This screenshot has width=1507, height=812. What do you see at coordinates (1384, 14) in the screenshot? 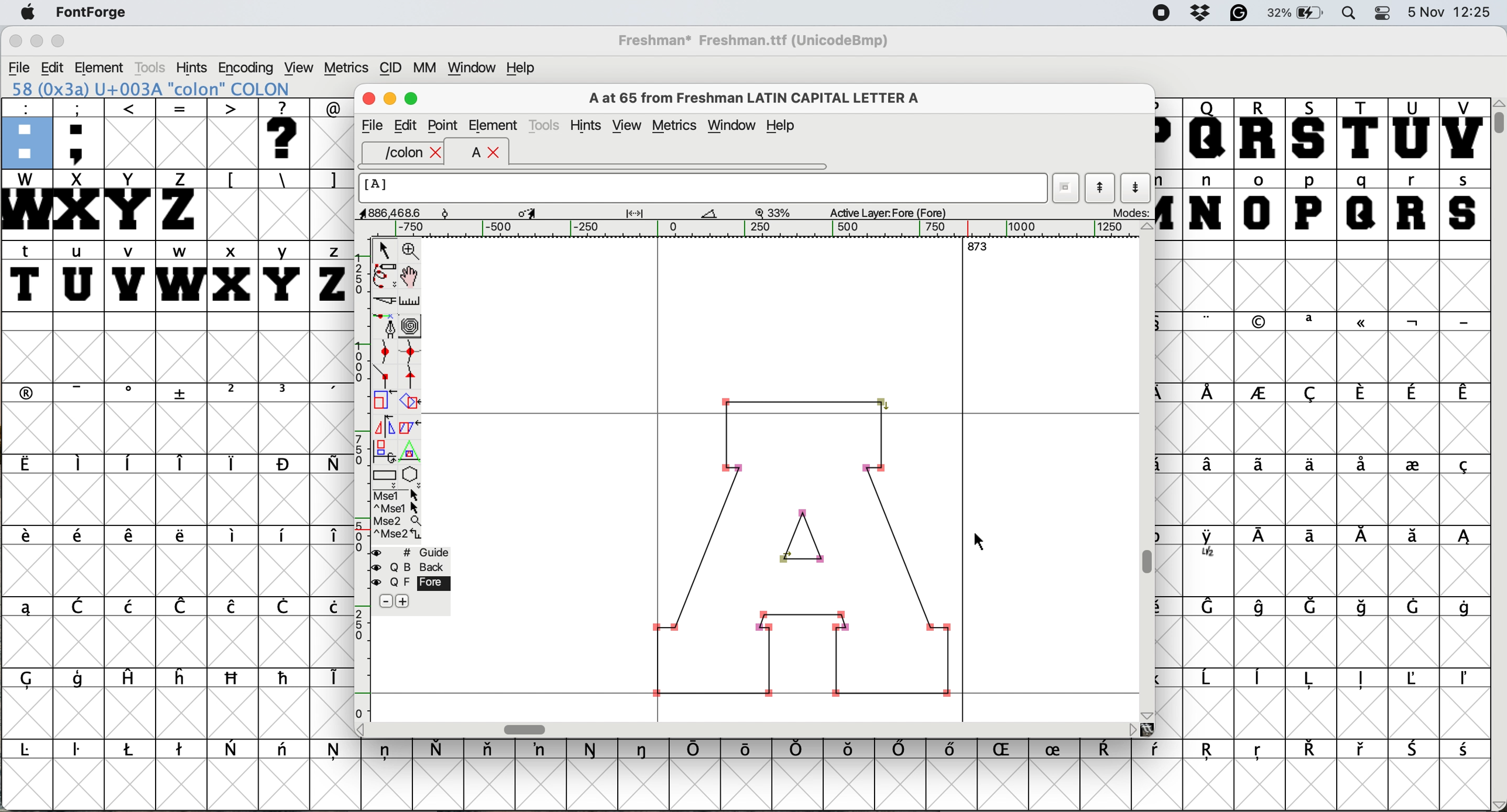
I see `control center` at bounding box center [1384, 14].